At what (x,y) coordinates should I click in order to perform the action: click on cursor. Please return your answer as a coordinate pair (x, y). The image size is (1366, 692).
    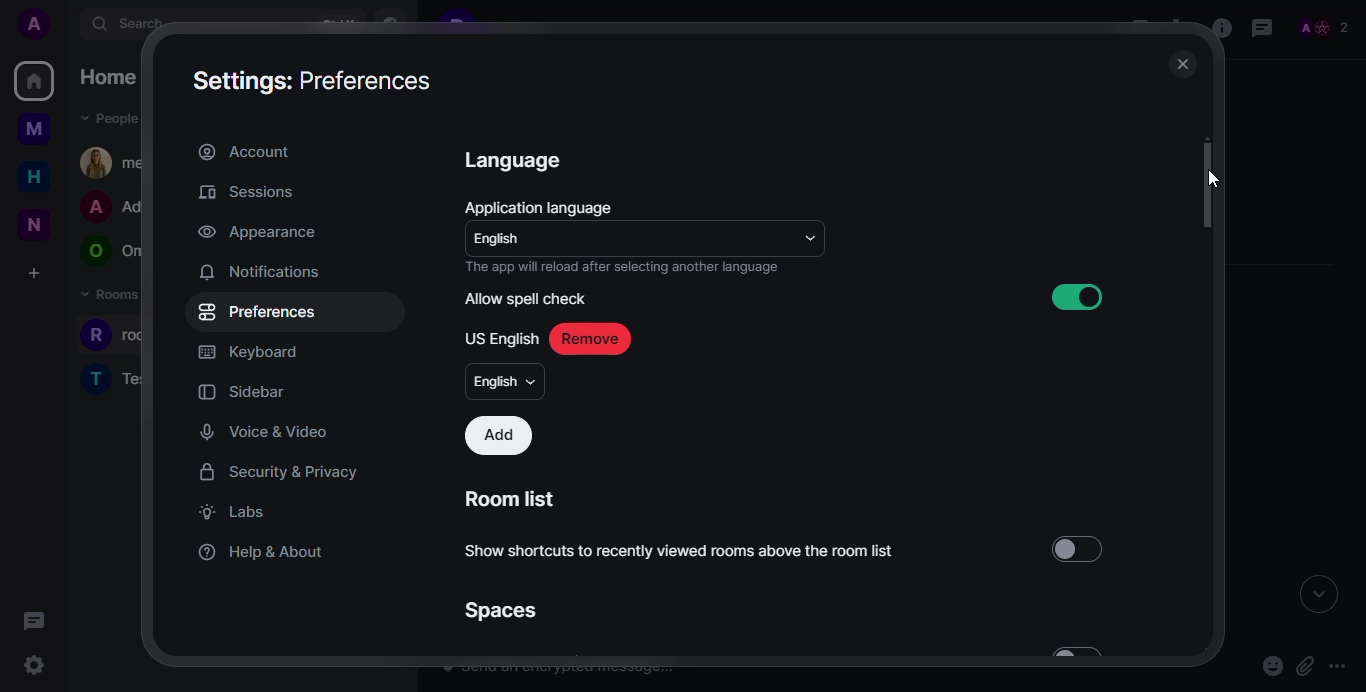
    Looking at the image, I should click on (1213, 180).